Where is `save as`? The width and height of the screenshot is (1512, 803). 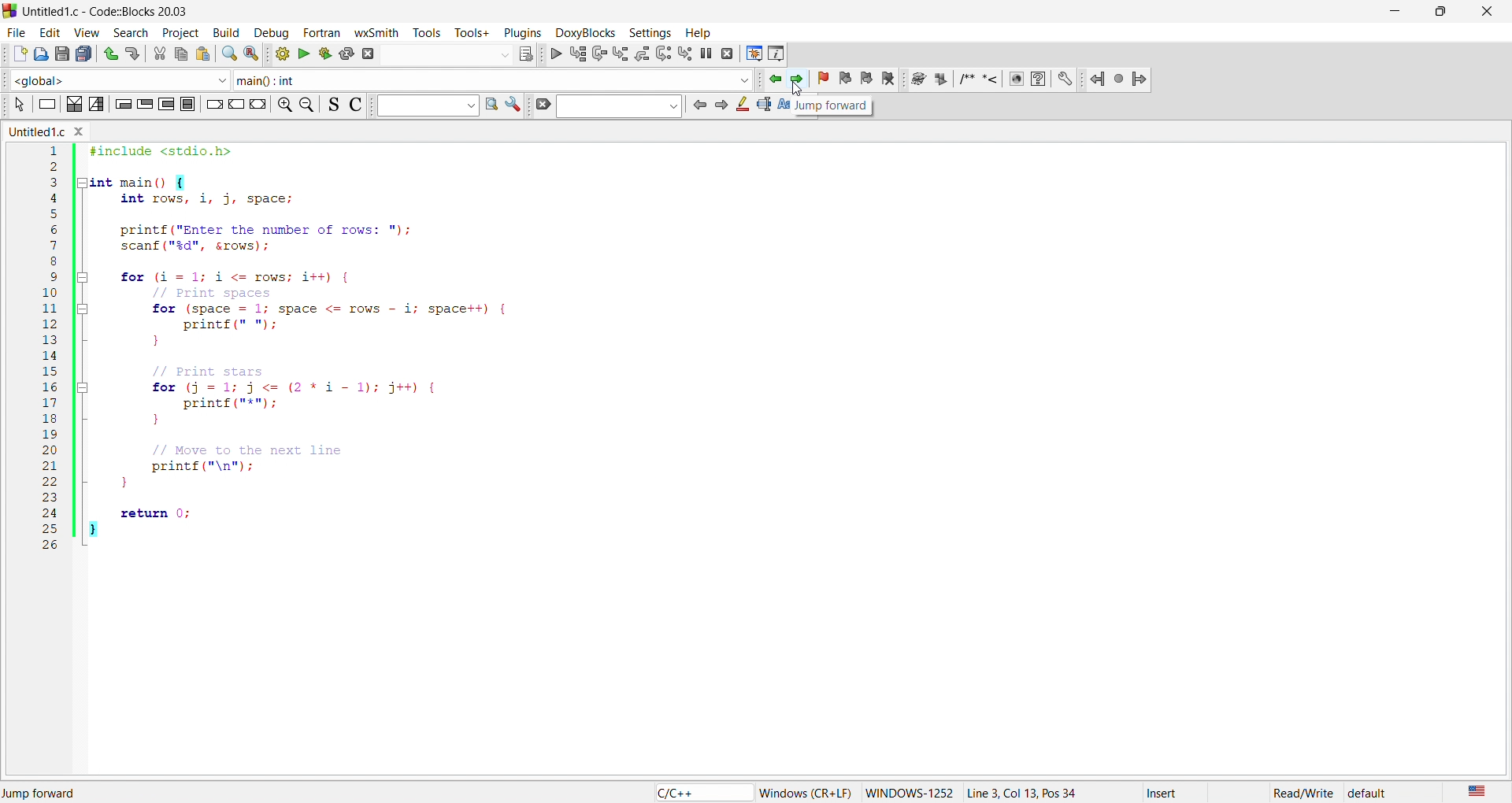
save as is located at coordinates (59, 54).